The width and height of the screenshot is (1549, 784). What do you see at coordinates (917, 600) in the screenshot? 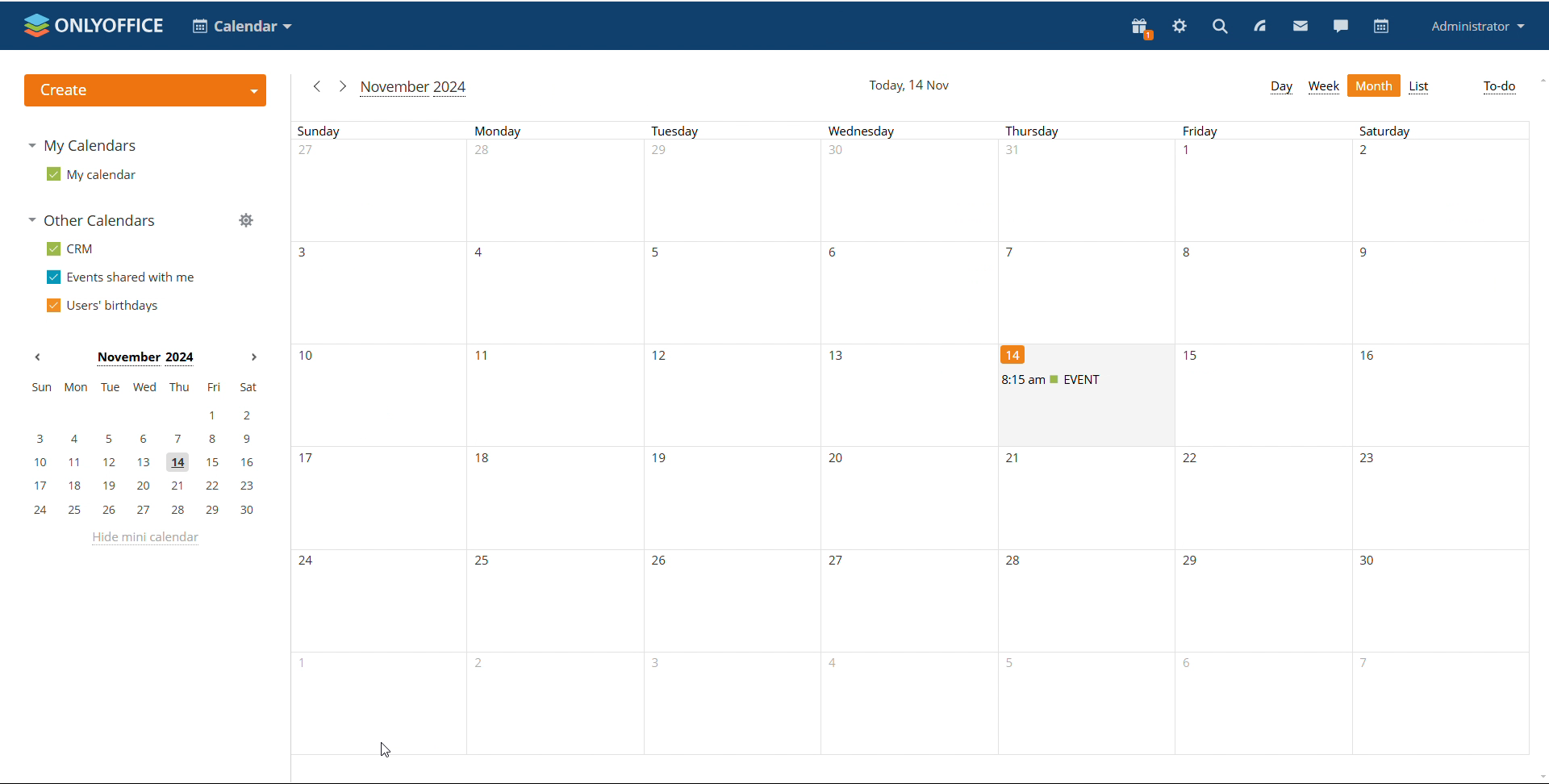
I see `24, 25, 26, 27, 28, 29, 30` at bounding box center [917, 600].